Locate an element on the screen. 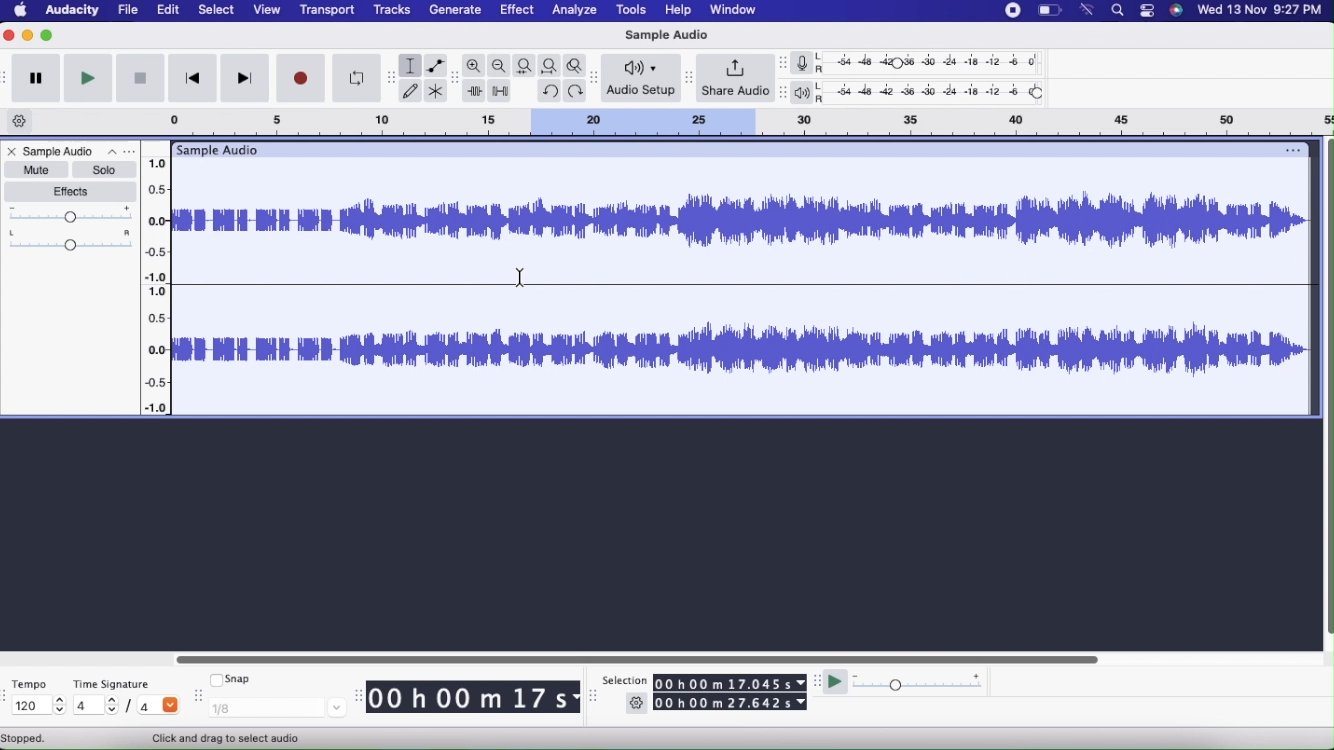 Image resolution: width=1334 pixels, height=750 pixels. Close is located at coordinates (11, 153).